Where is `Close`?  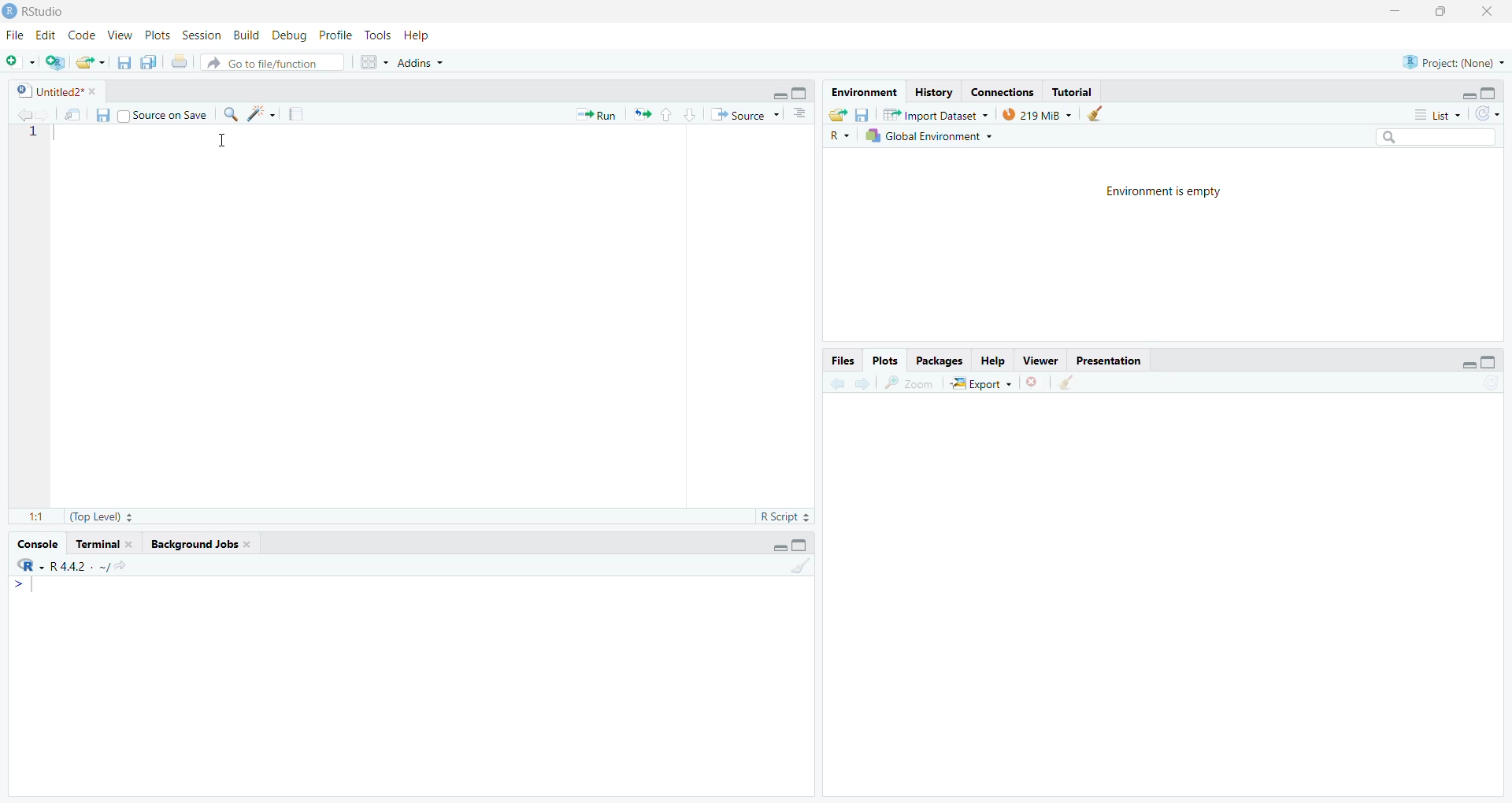
Close is located at coordinates (1490, 13).